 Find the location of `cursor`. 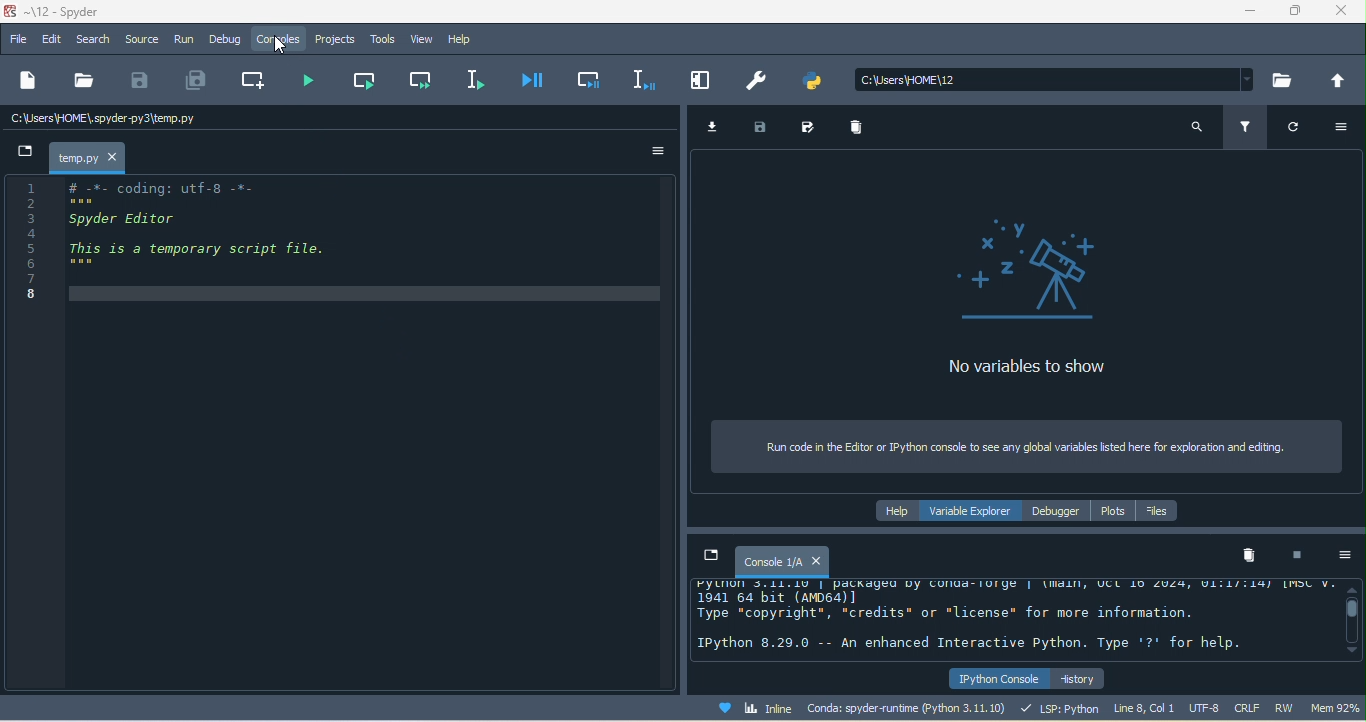

cursor is located at coordinates (282, 46).